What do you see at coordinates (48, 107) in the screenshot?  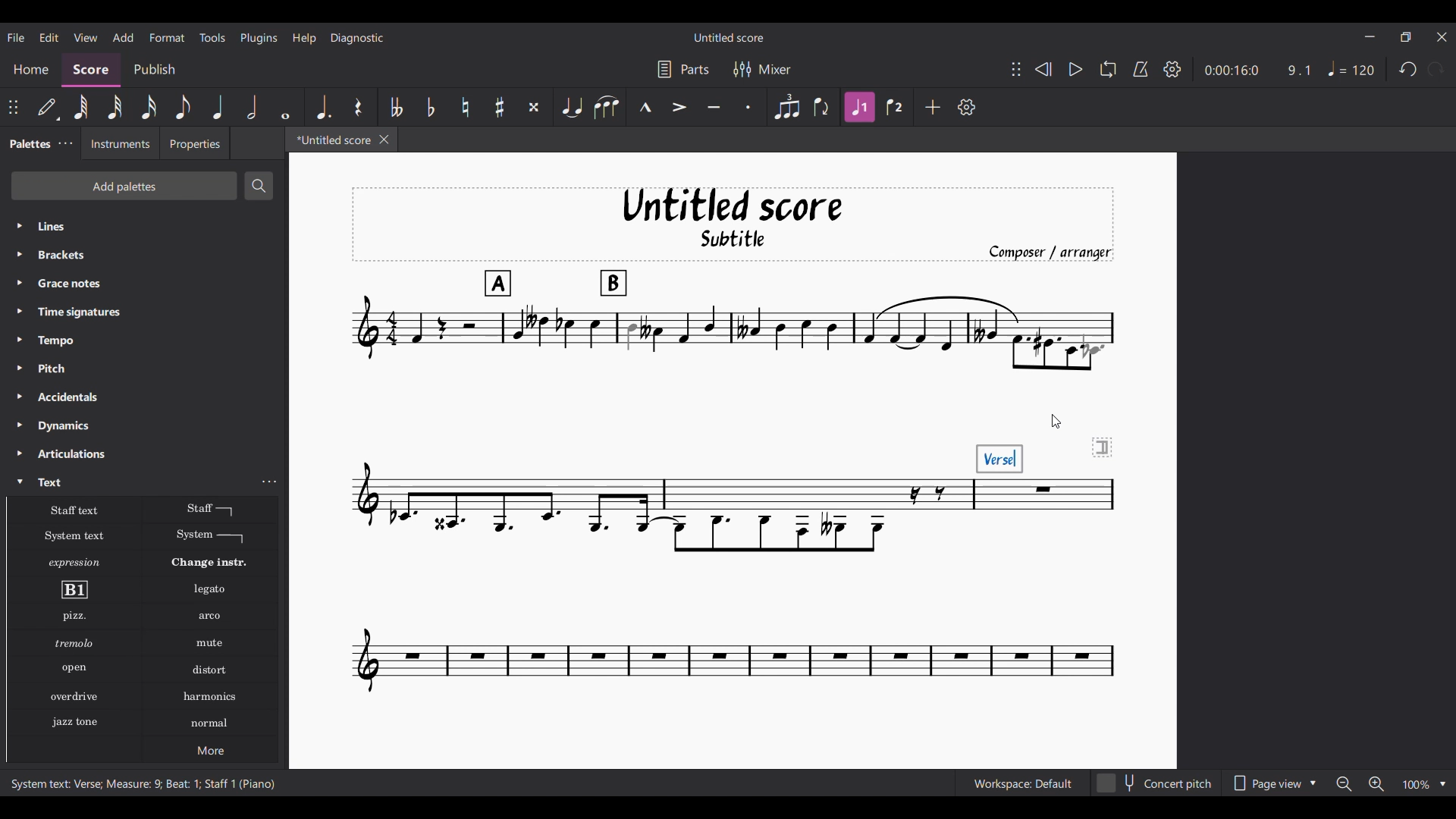 I see `Default` at bounding box center [48, 107].